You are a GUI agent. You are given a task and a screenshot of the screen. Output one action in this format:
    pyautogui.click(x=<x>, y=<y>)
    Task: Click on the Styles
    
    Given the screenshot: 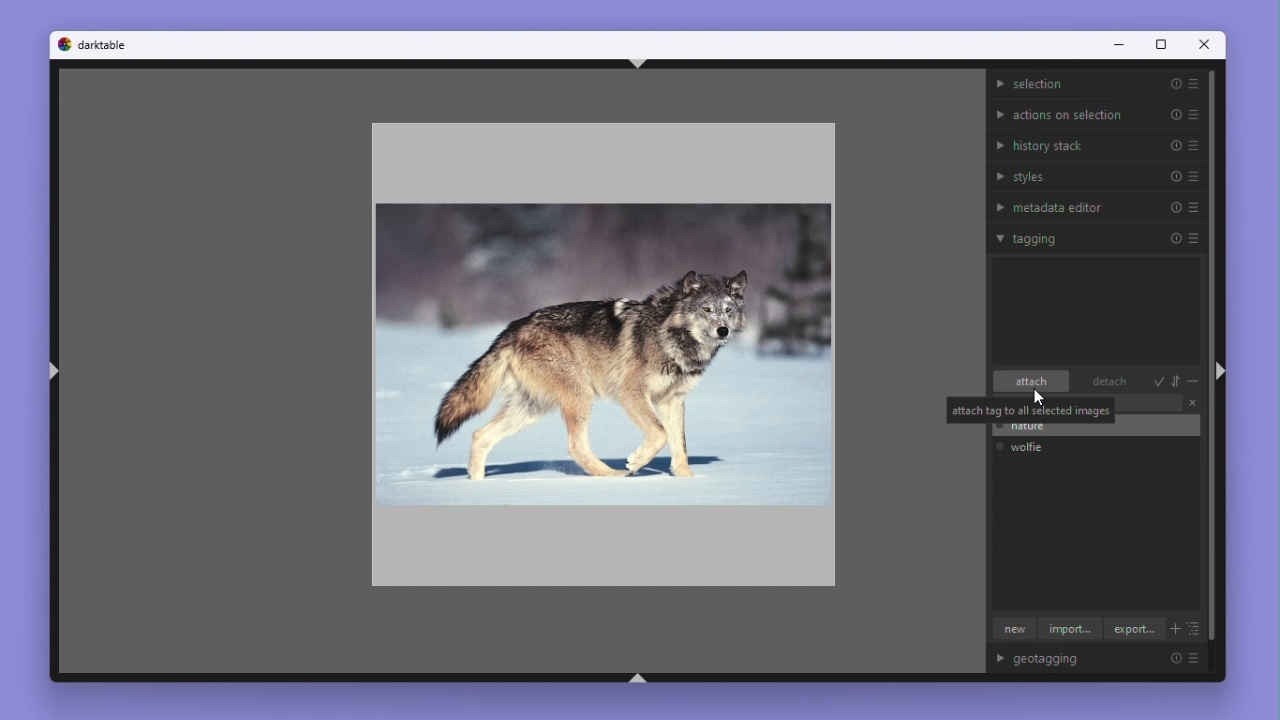 What is the action you would take?
    pyautogui.click(x=1098, y=176)
    